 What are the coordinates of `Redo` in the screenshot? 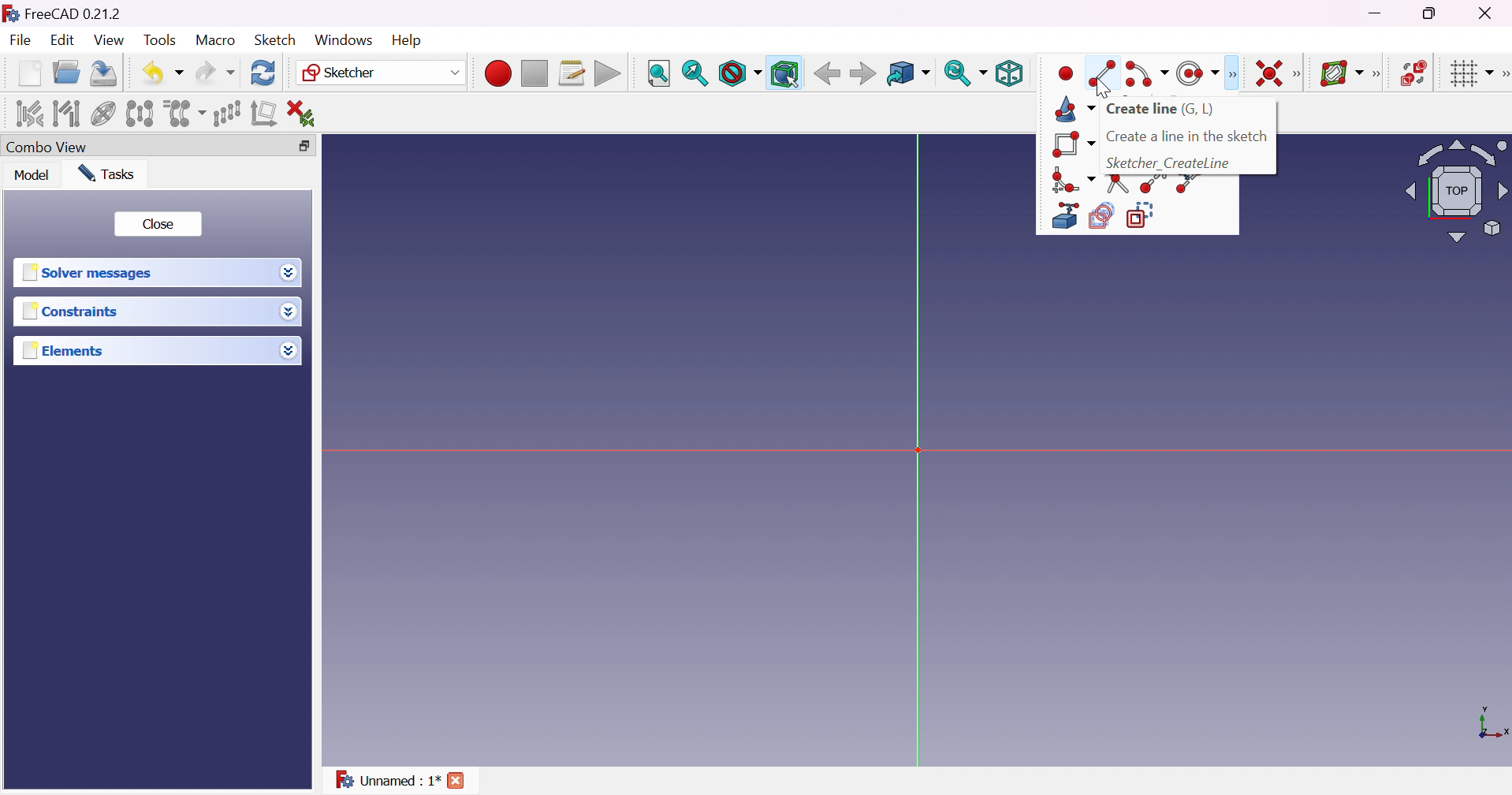 It's located at (214, 73).